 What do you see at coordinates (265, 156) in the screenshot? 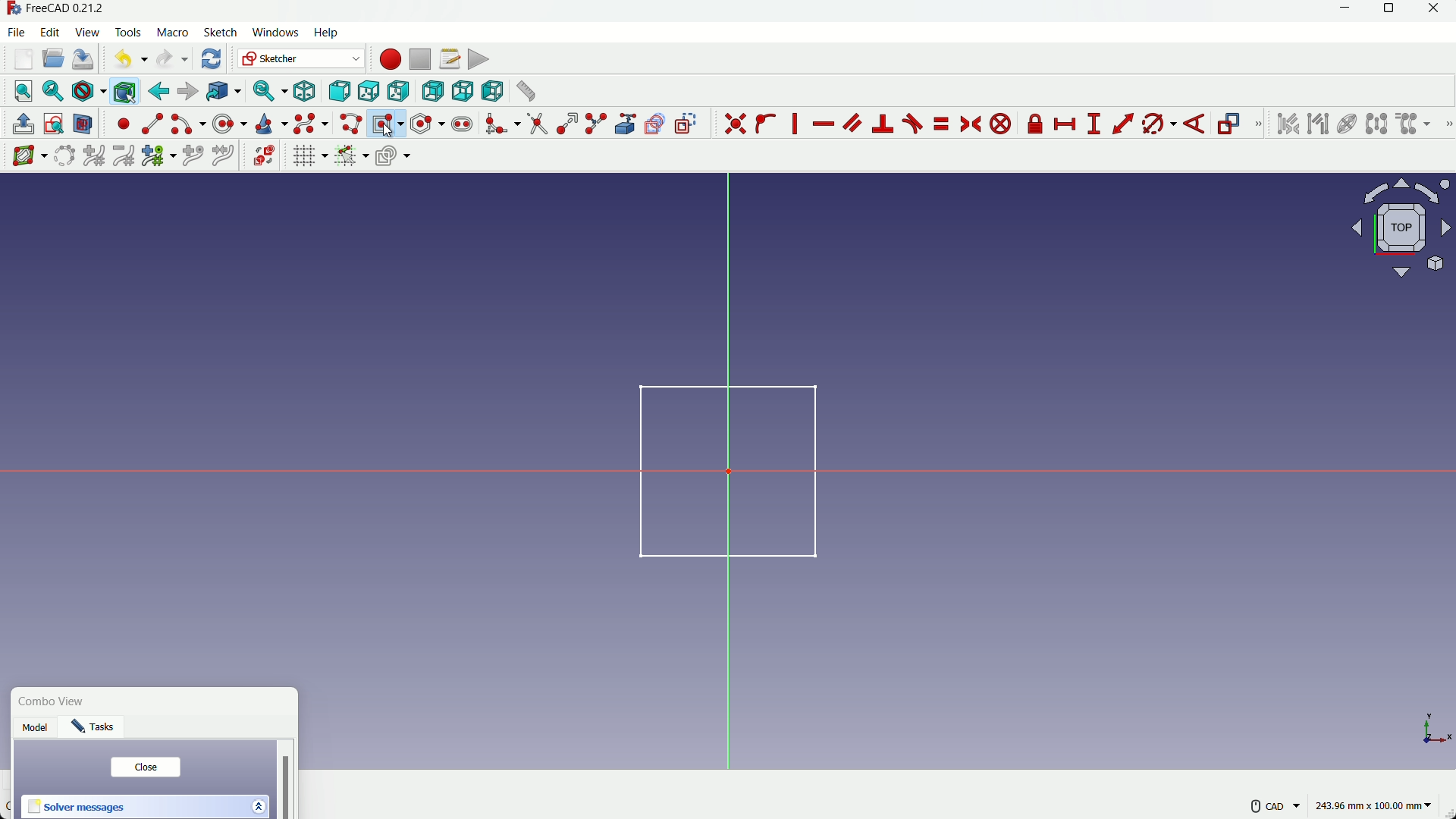
I see `switch virtual space` at bounding box center [265, 156].